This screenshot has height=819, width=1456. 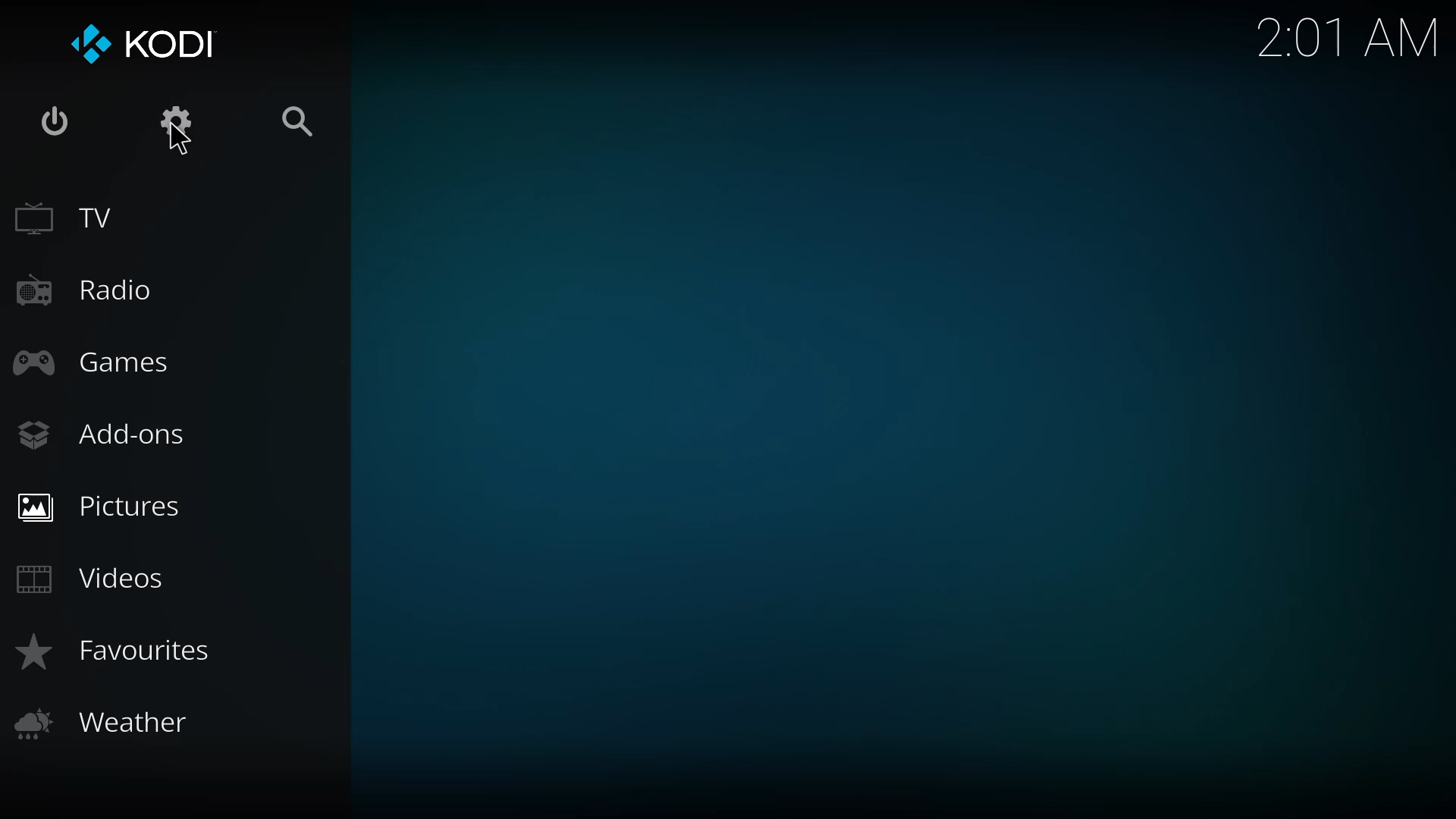 I want to click on search, so click(x=296, y=121).